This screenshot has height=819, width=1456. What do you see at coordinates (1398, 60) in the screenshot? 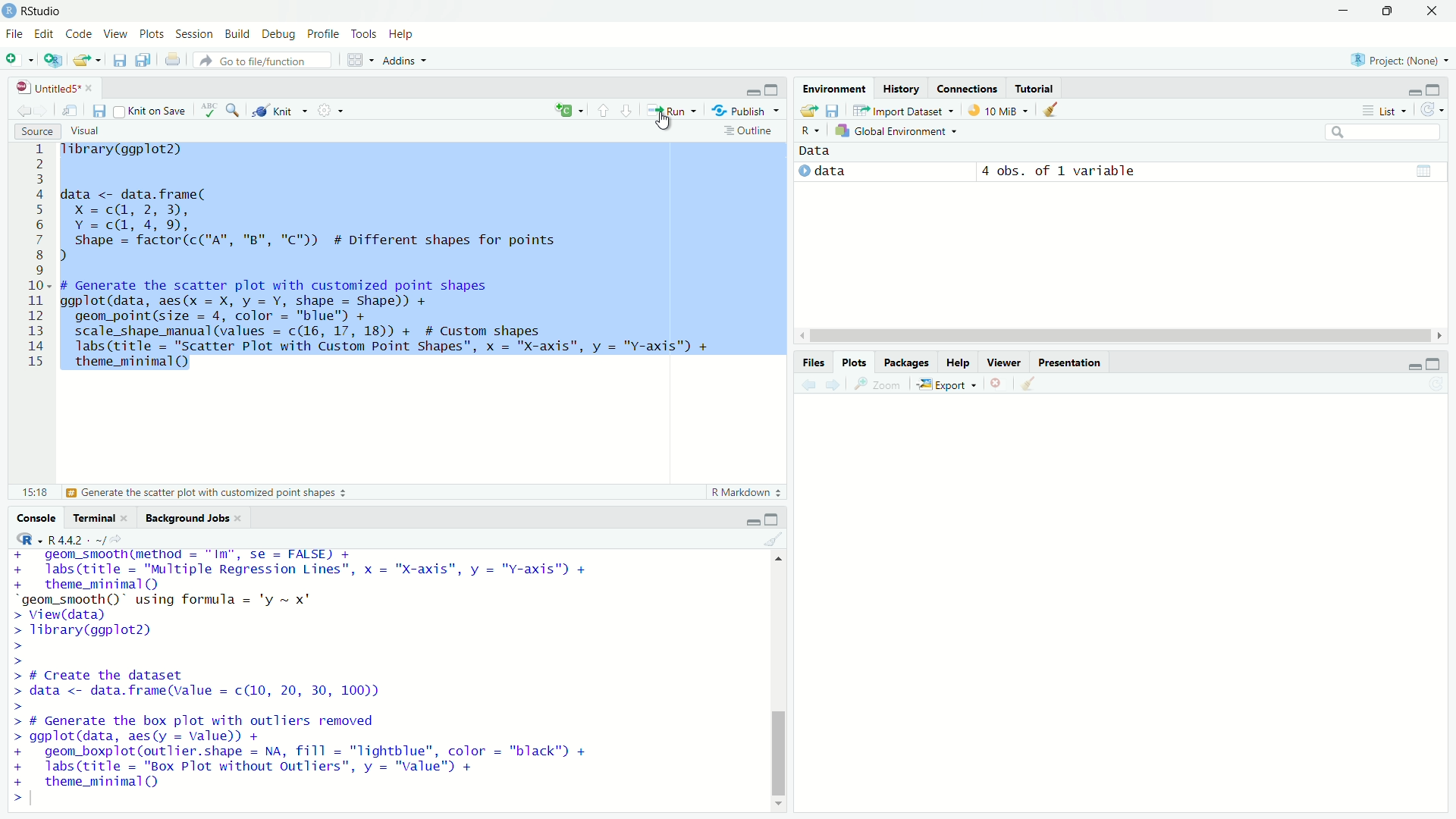
I see `Project: (None)` at bounding box center [1398, 60].